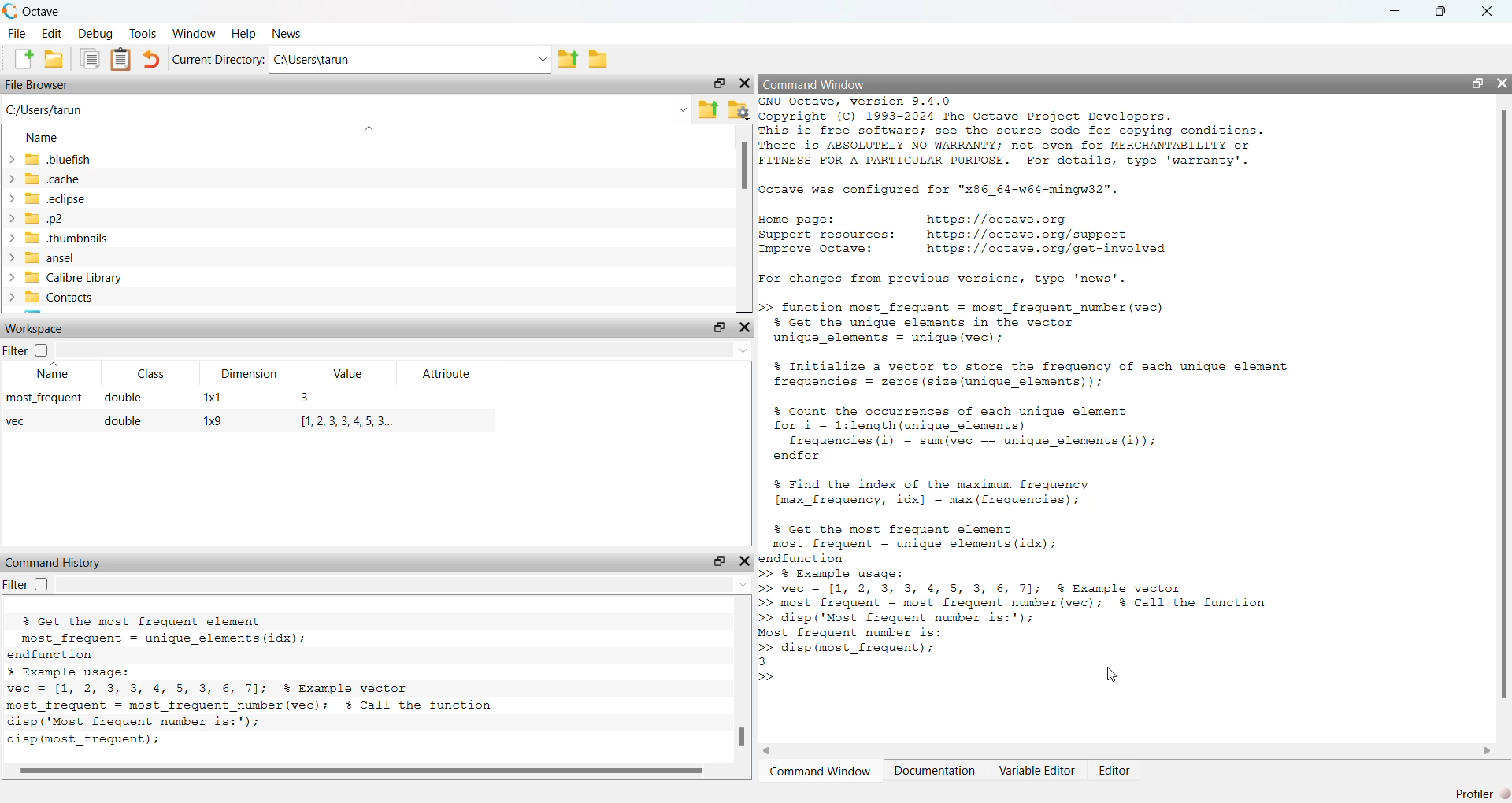 The width and height of the screenshot is (1512, 803). I want to click on Hide Widget, so click(744, 83).